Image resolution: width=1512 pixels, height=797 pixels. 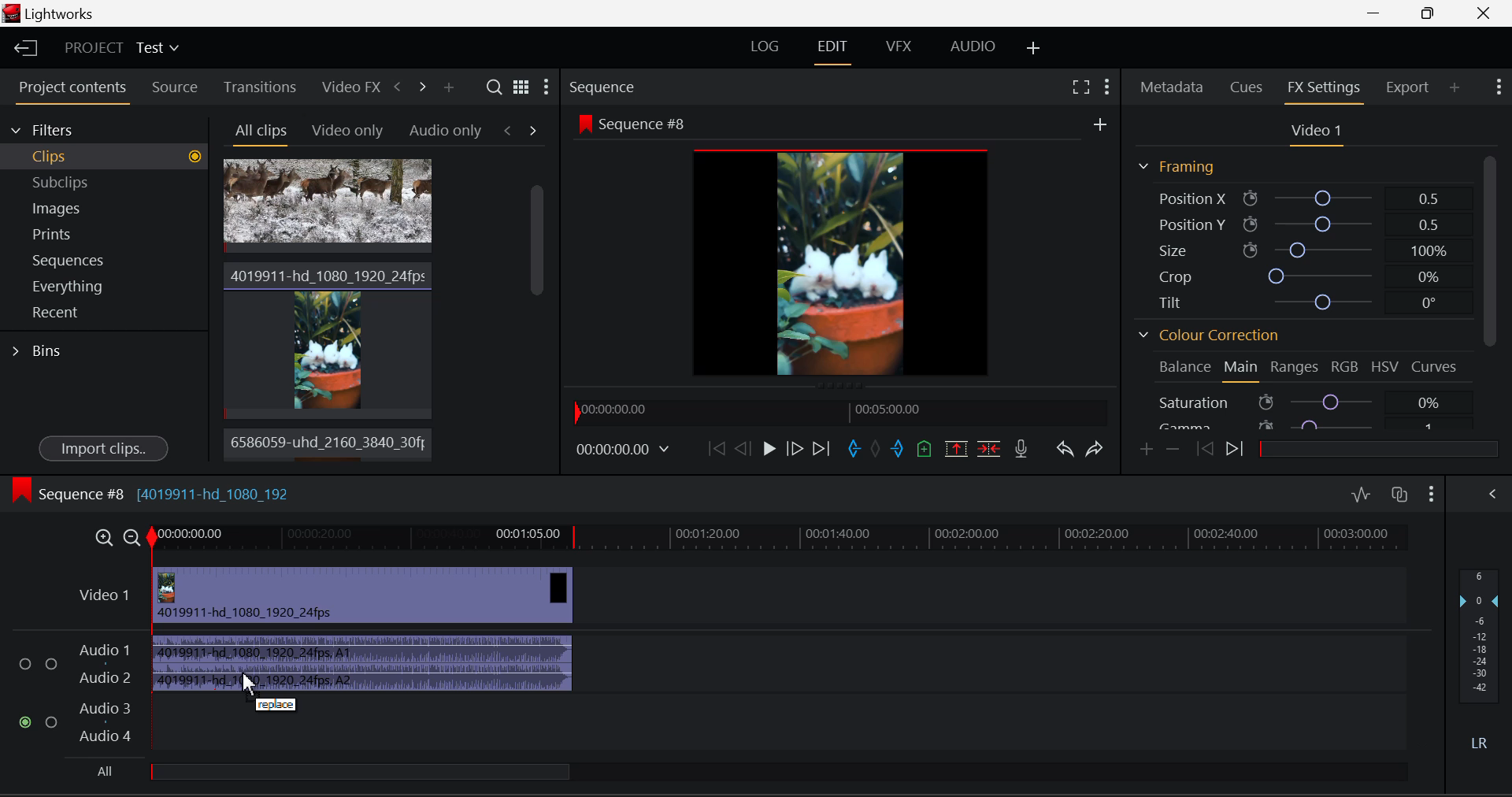 I want to click on Sequence Preview Screen, so click(x=842, y=247).